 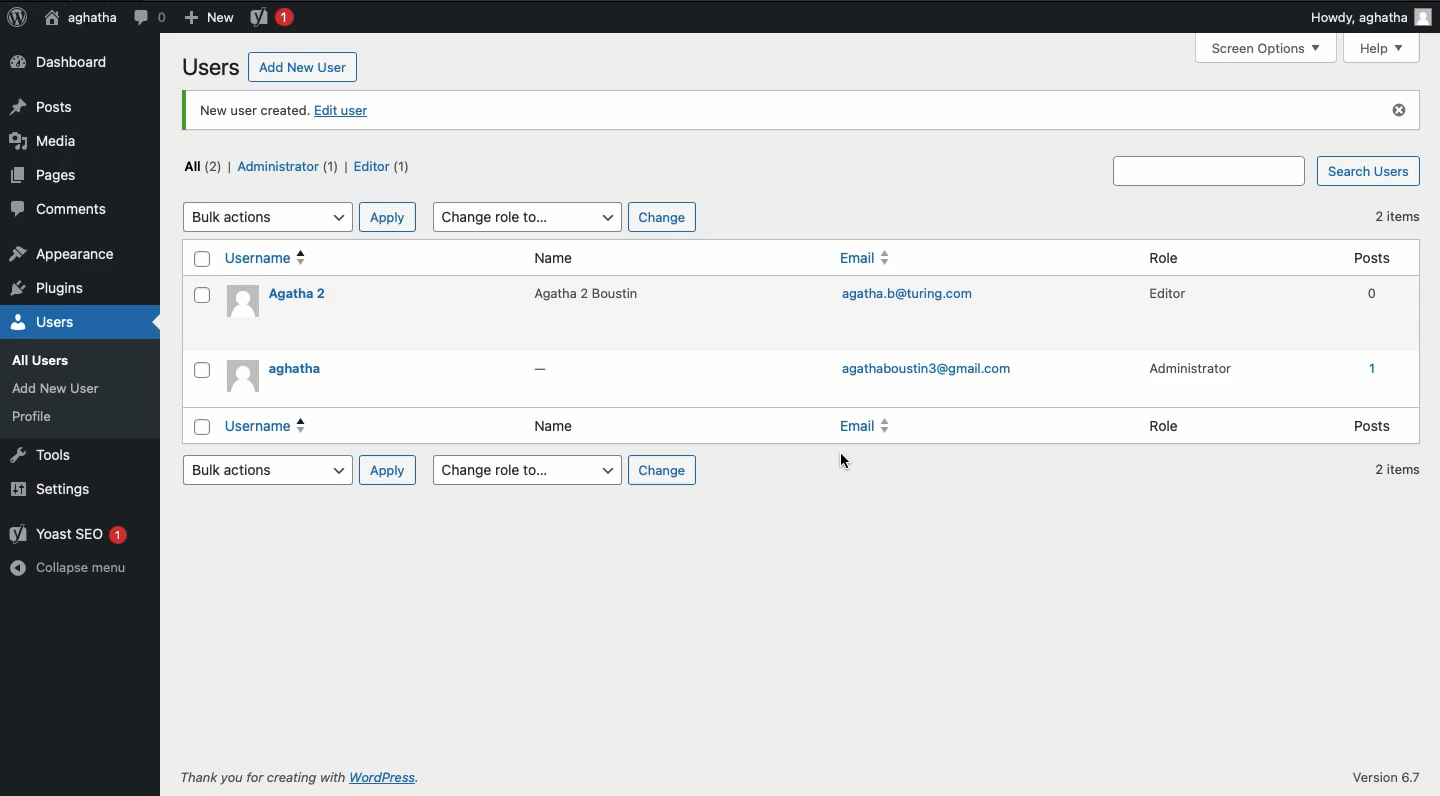 What do you see at coordinates (278, 302) in the screenshot?
I see `Agatha 2` at bounding box center [278, 302].